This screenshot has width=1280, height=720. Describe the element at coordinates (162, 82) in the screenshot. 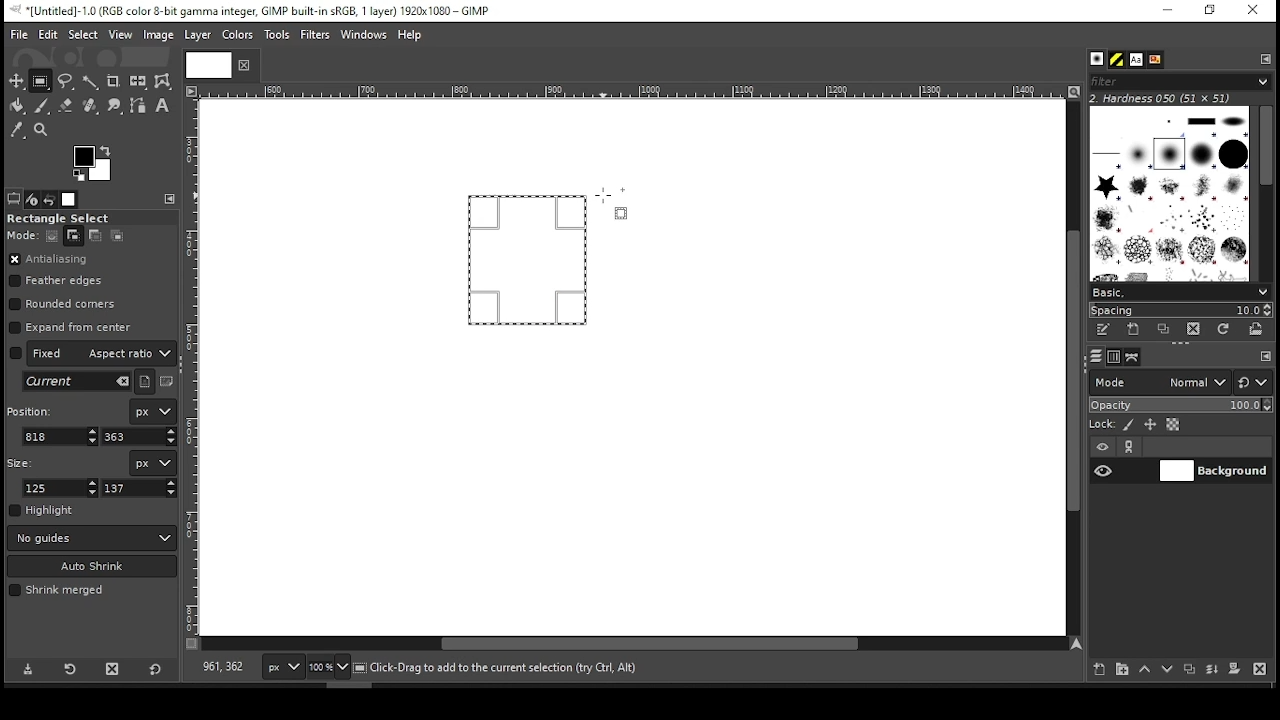

I see `warp transform tool` at that location.